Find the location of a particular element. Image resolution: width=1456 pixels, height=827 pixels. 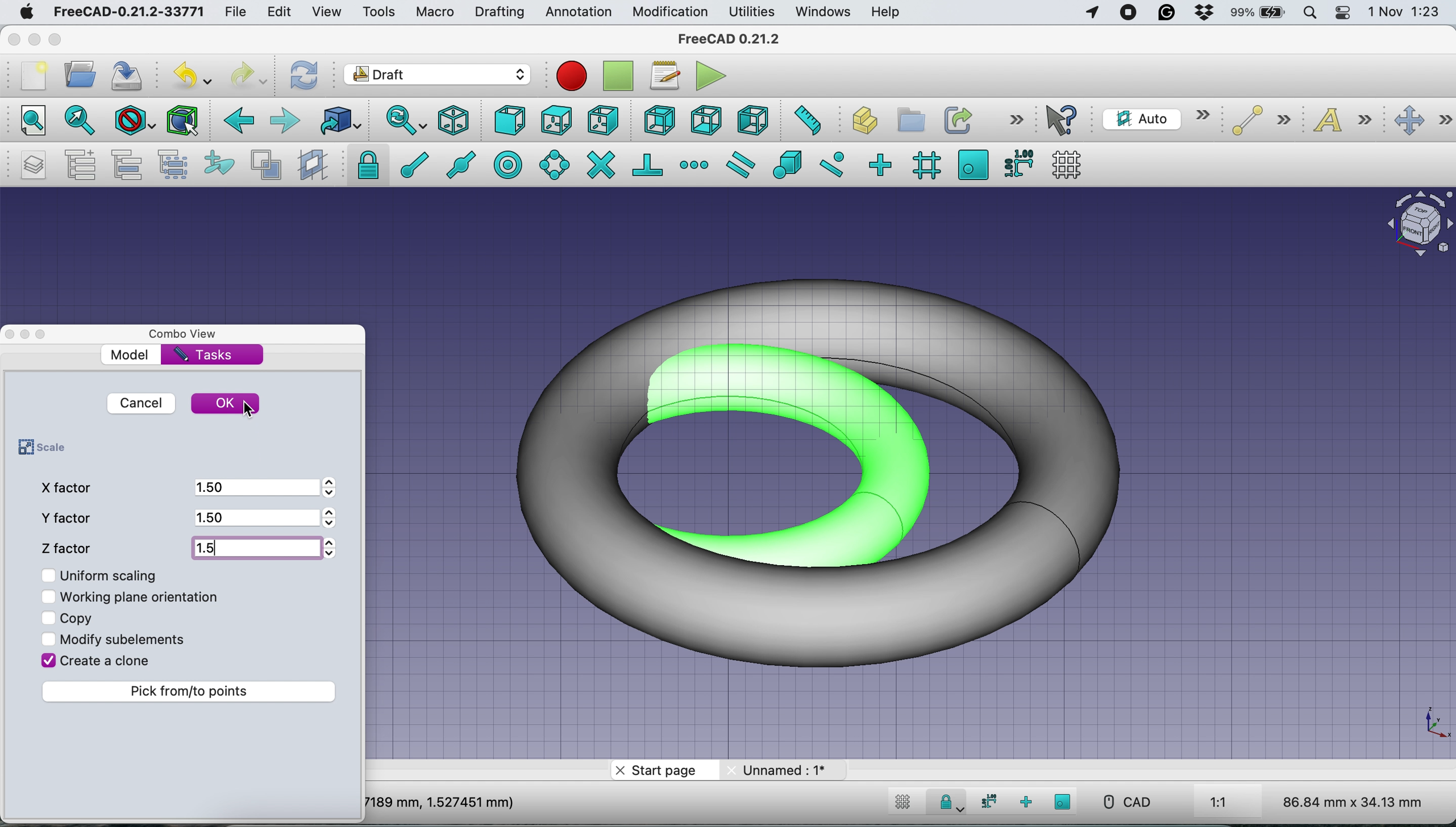

Apps Using Location is located at coordinates (1092, 14).